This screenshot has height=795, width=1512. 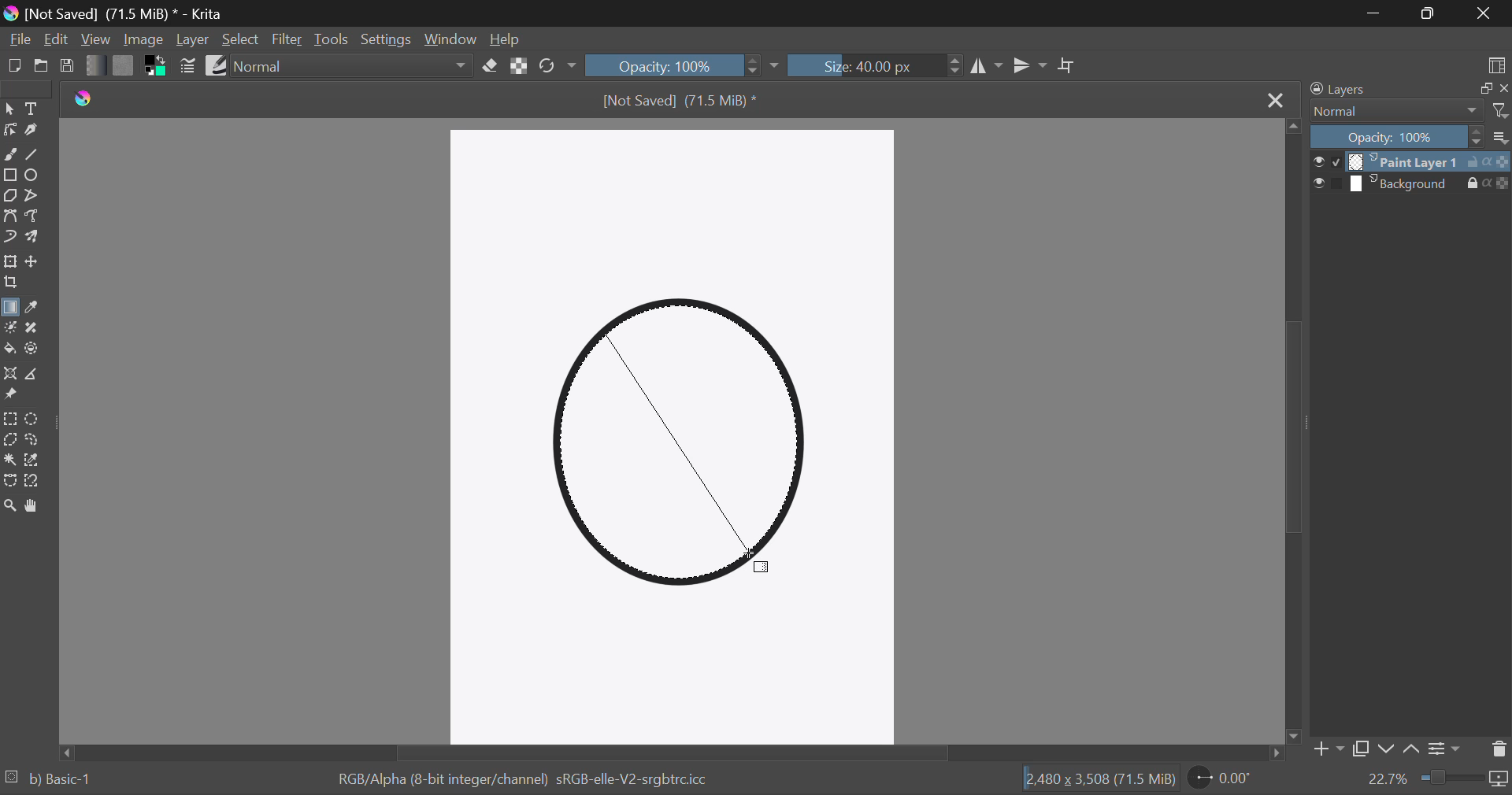 I want to click on Settings, so click(x=1447, y=749).